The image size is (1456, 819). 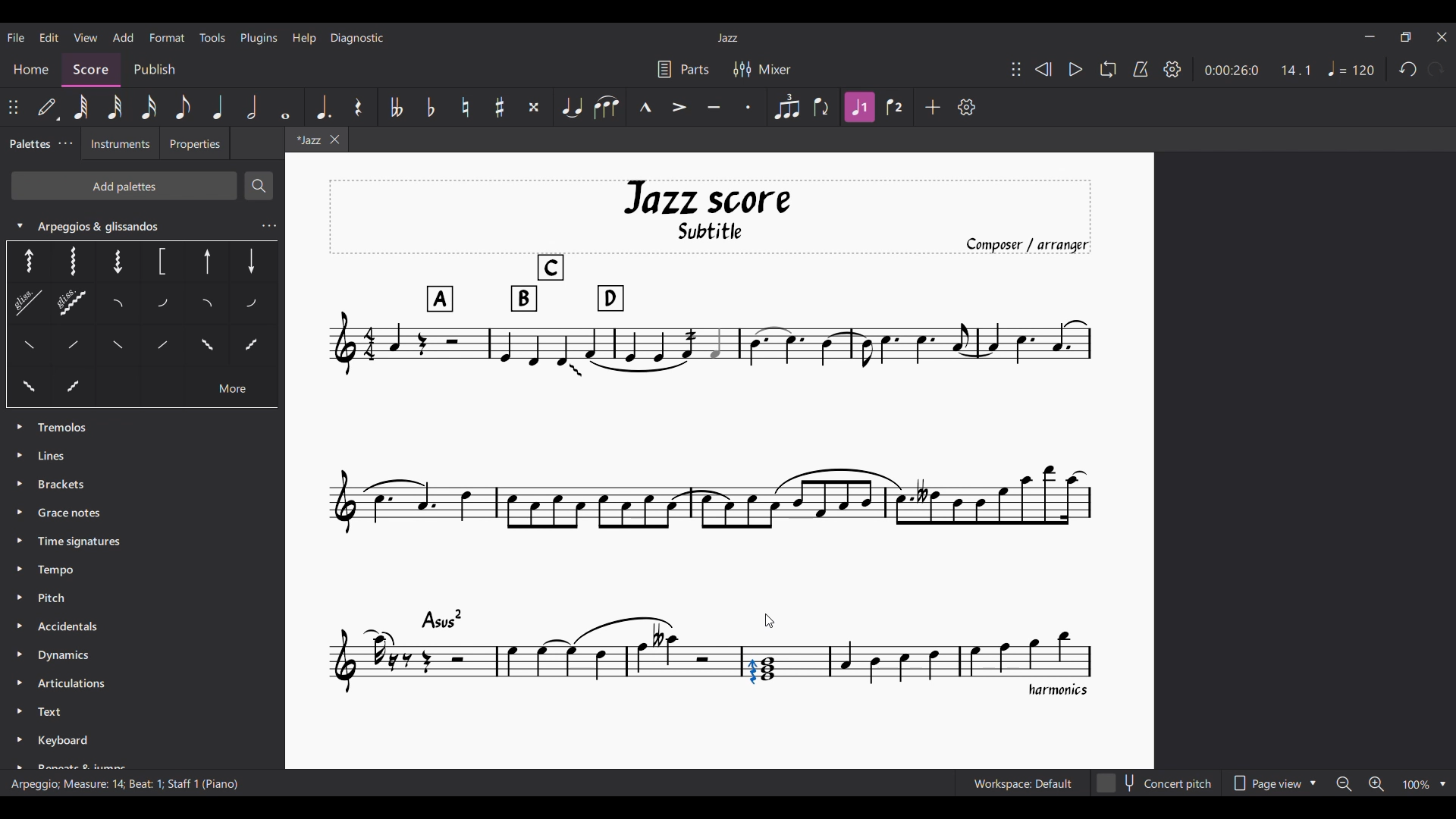 I want to click on Help menu, so click(x=305, y=39).